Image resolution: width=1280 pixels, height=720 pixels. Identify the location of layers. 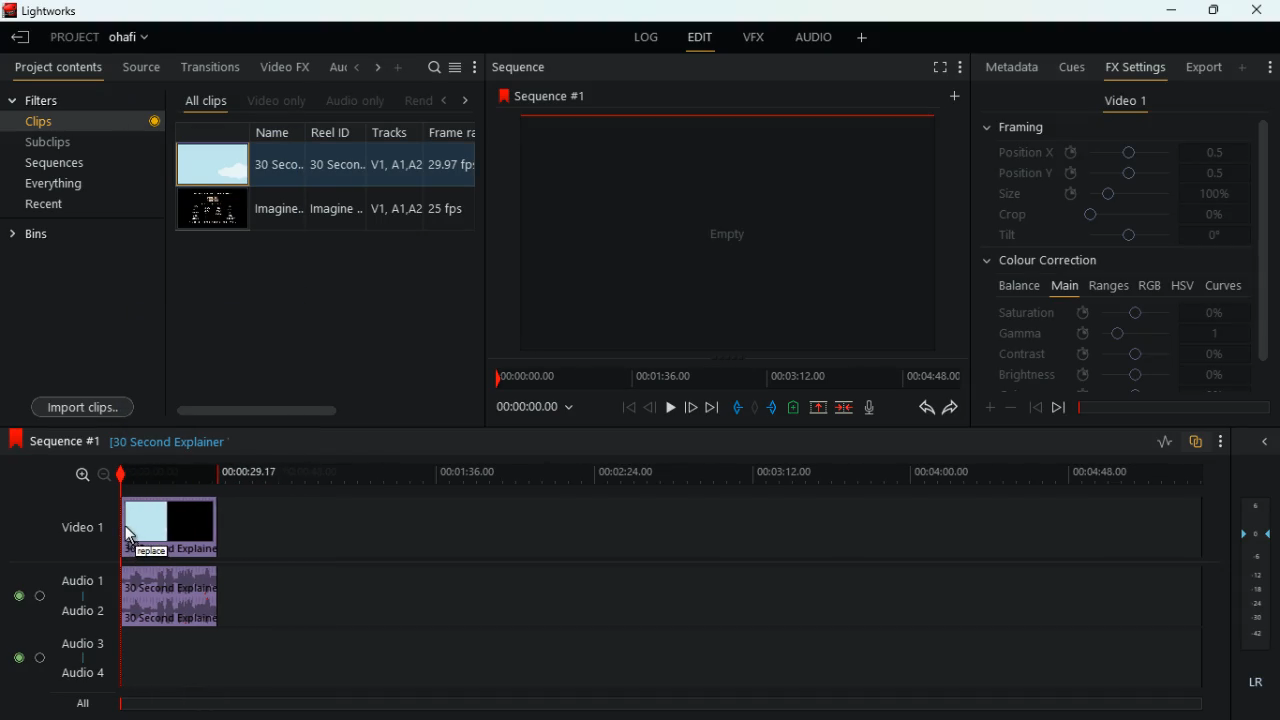
(1252, 576).